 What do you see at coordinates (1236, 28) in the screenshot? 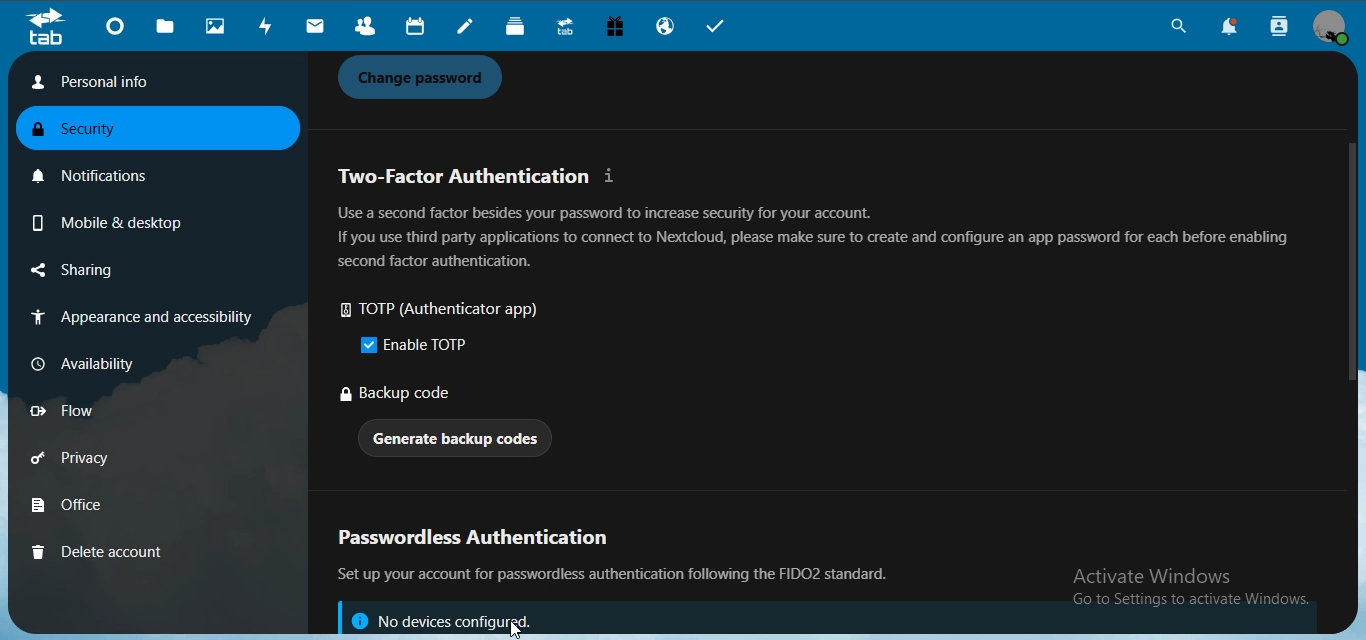
I see `notifications` at bounding box center [1236, 28].